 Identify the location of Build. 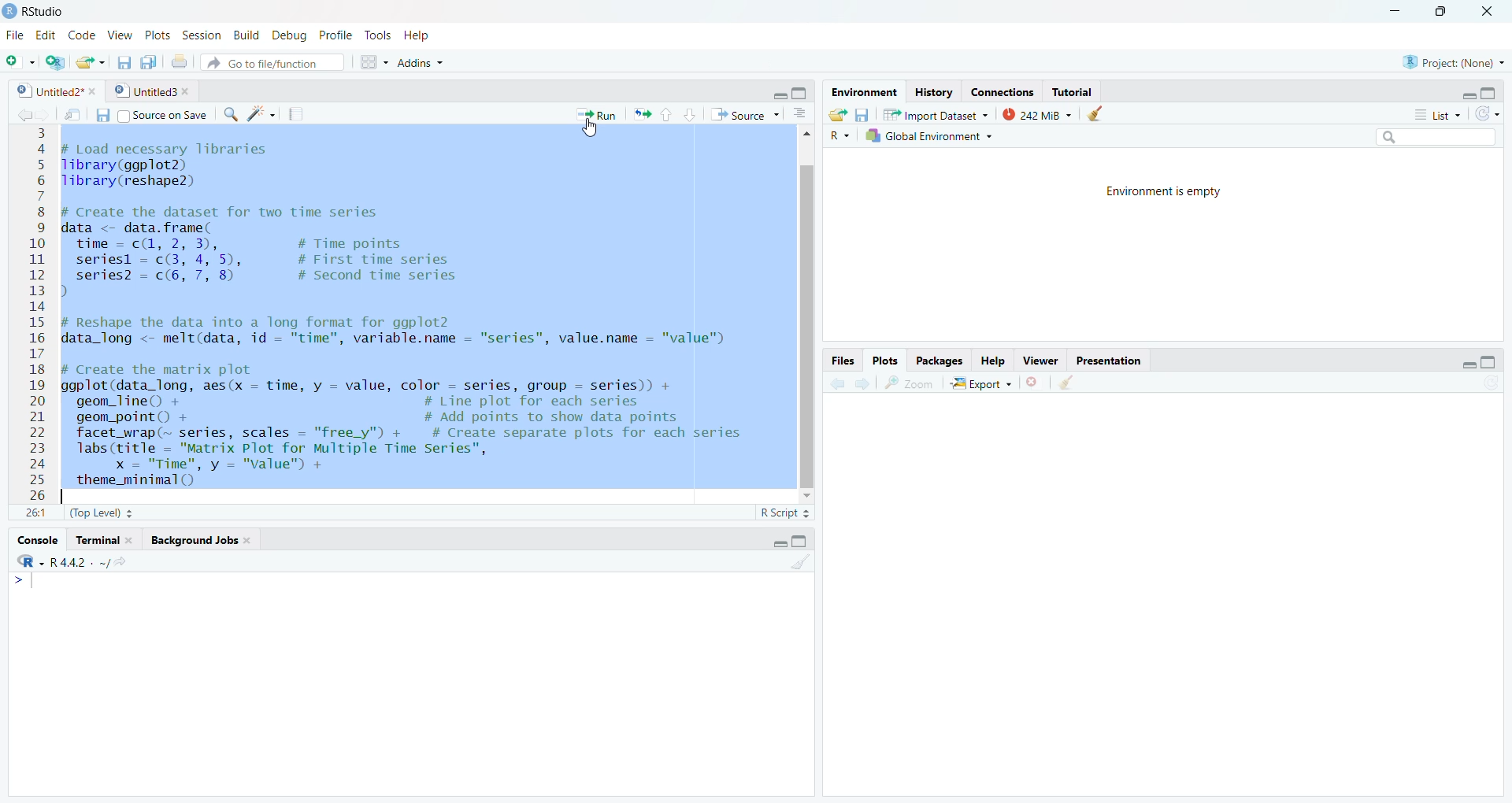
(245, 35).